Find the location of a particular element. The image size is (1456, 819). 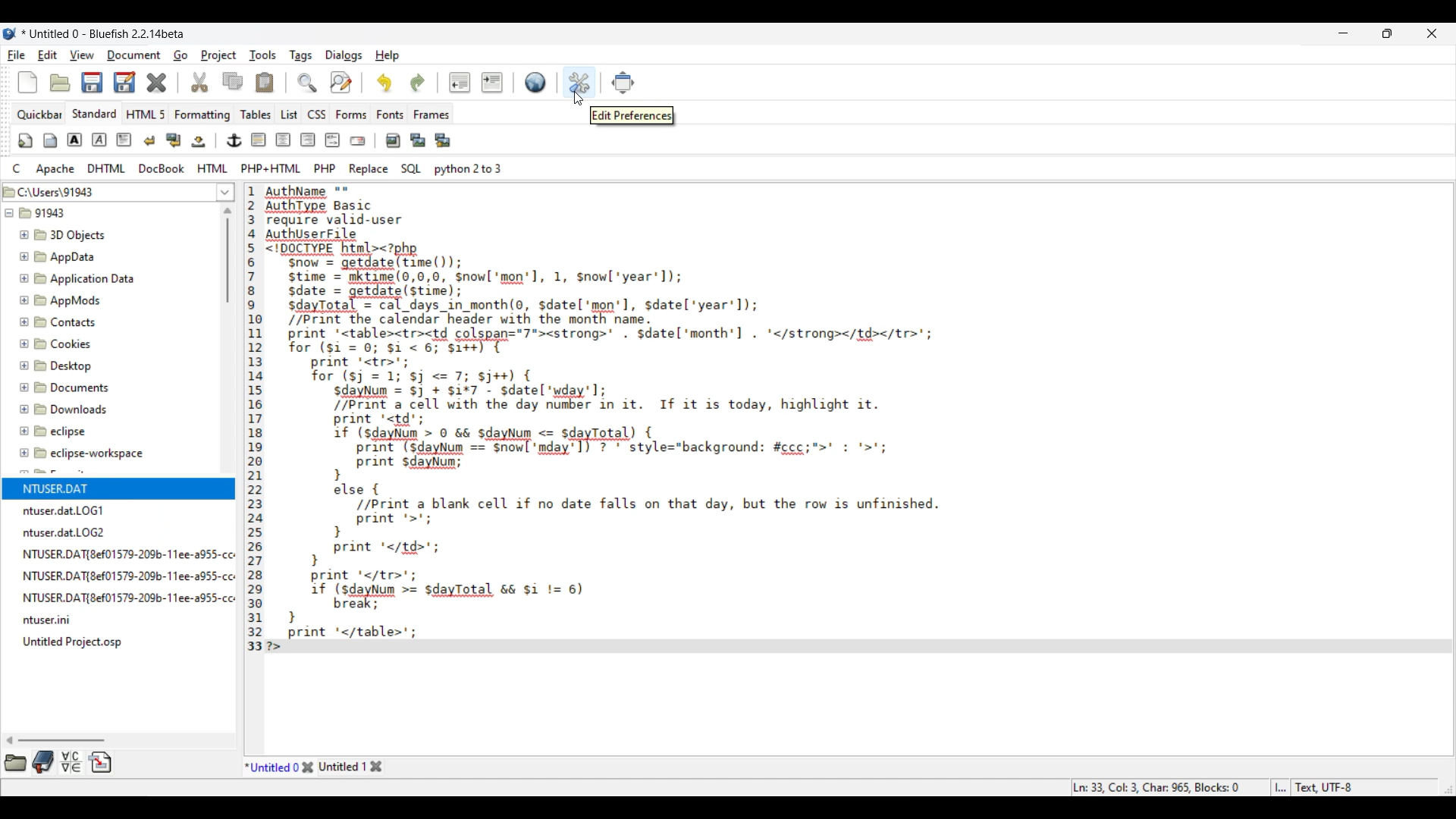

Project name, software name and version is located at coordinates (105, 33).